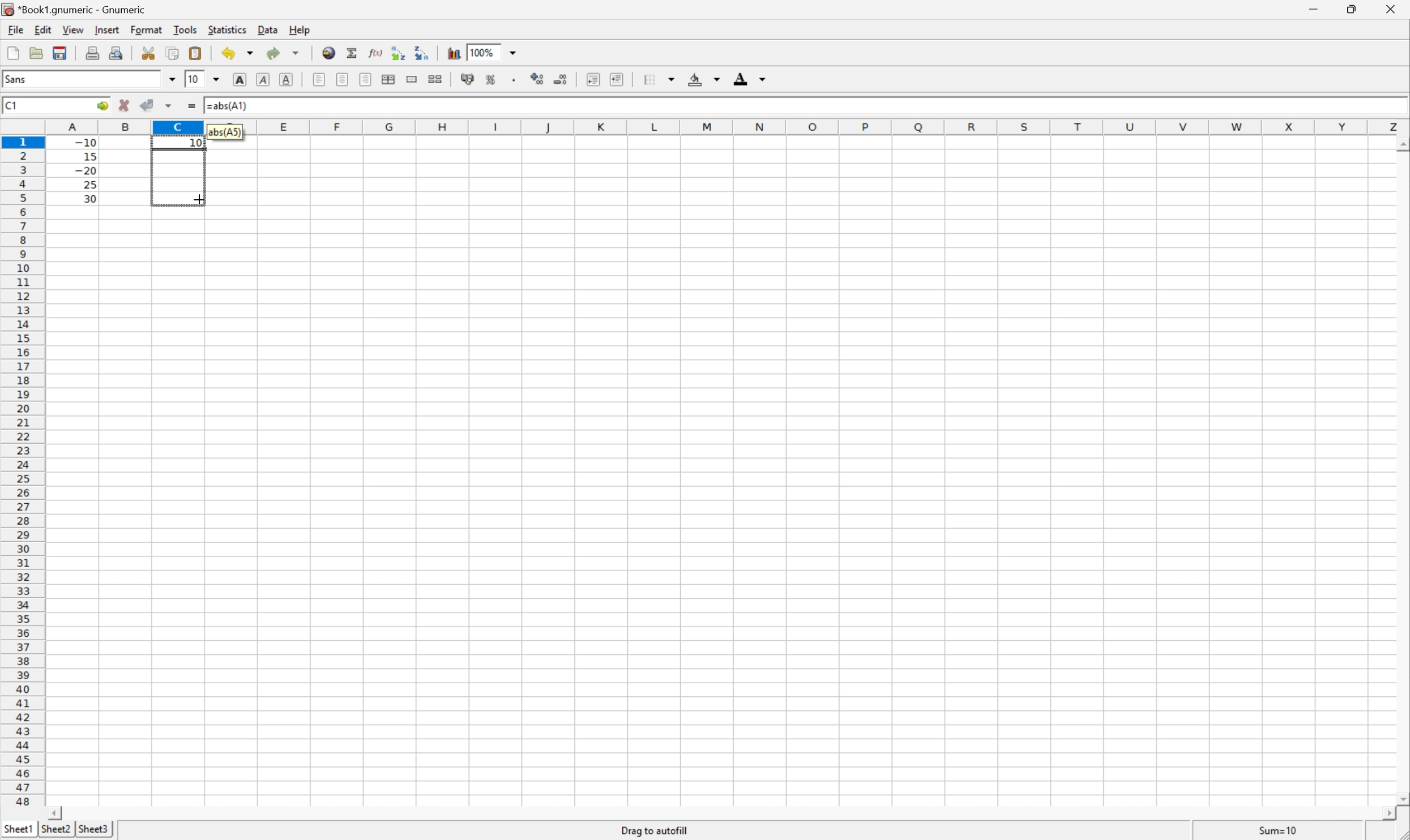 The width and height of the screenshot is (1410, 840). What do you see at coordinates (23, 474) in the screenshot?
I see `Row numbers` at bounding box center [23, 474].